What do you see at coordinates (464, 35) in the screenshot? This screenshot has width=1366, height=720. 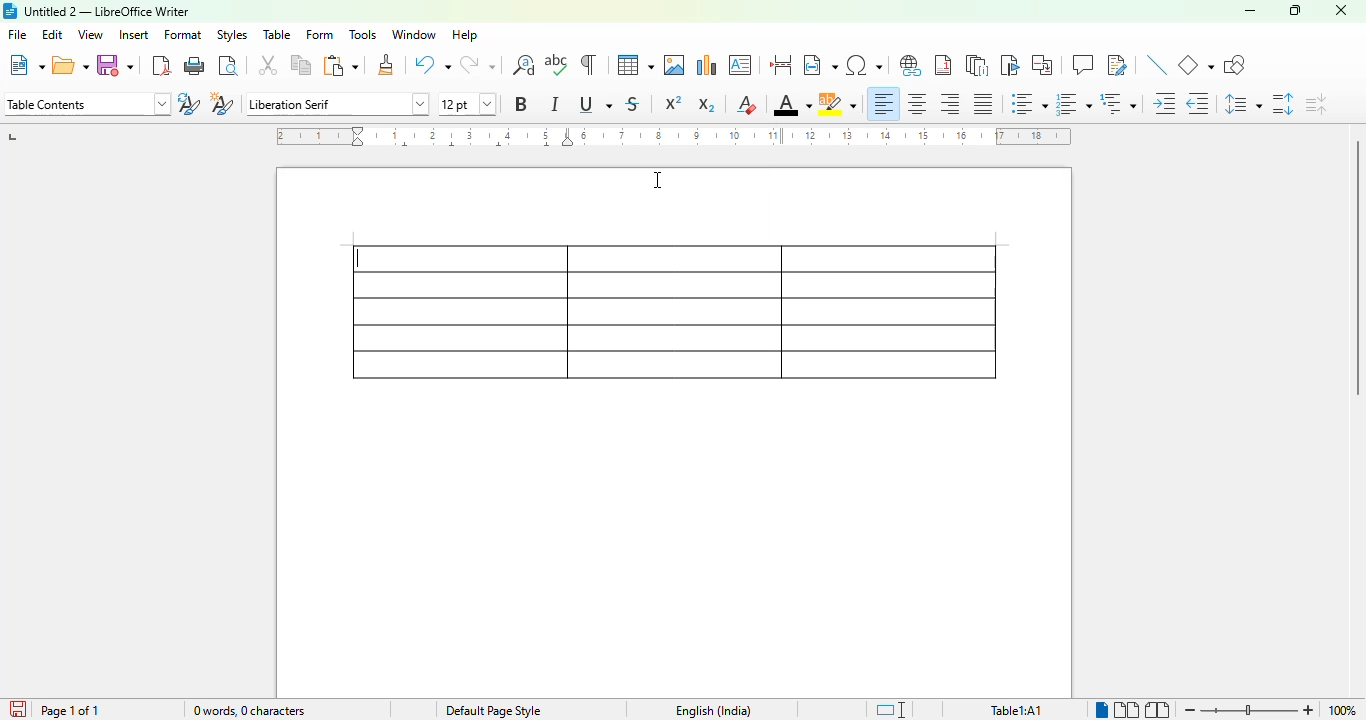 I see `help` at bounding box center [464, 35].